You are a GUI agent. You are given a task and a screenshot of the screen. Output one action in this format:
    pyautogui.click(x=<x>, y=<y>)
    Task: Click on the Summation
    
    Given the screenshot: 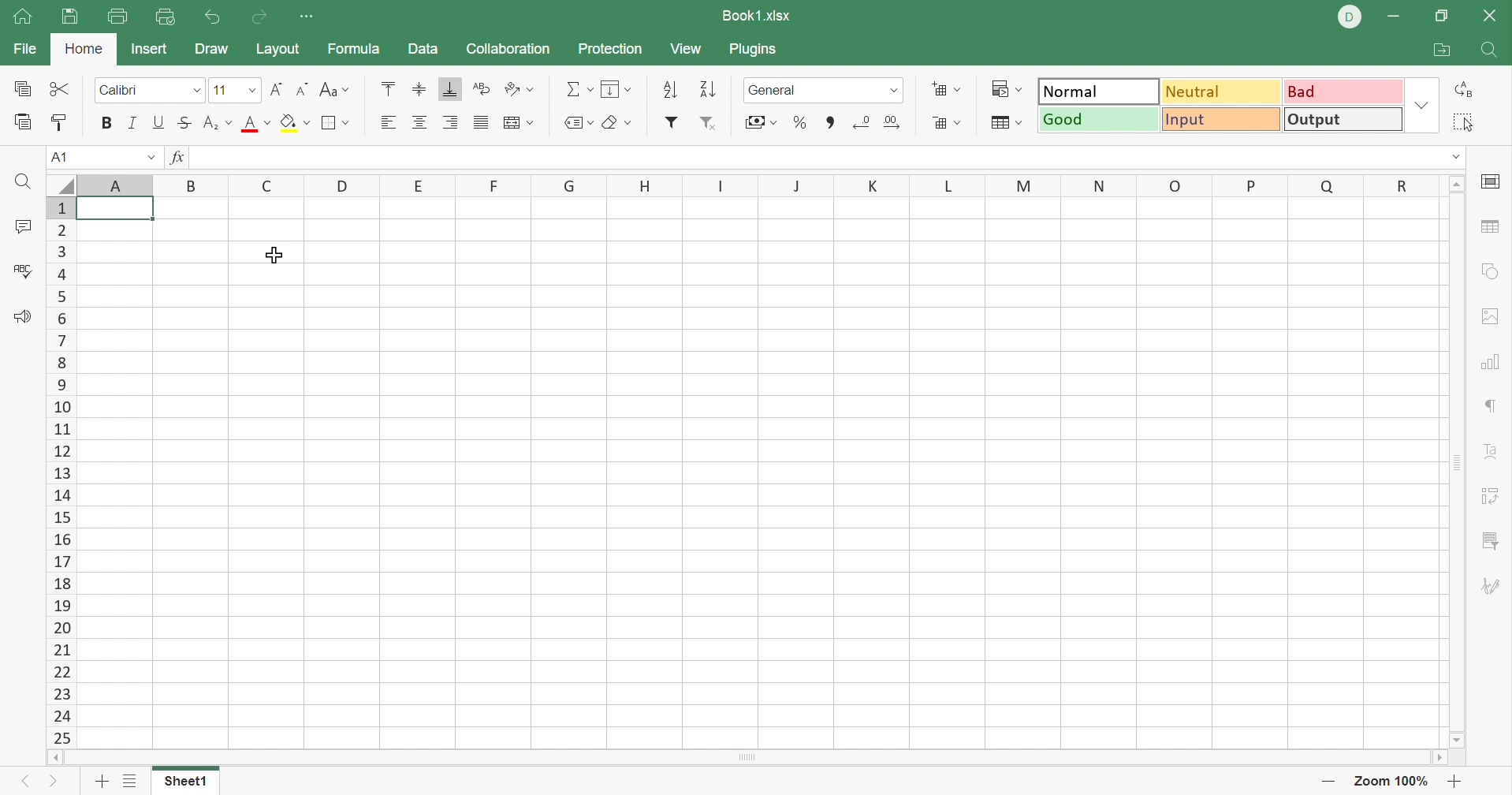 What is the action you would take?
    pyautogui.click(x=582, y=88)
    